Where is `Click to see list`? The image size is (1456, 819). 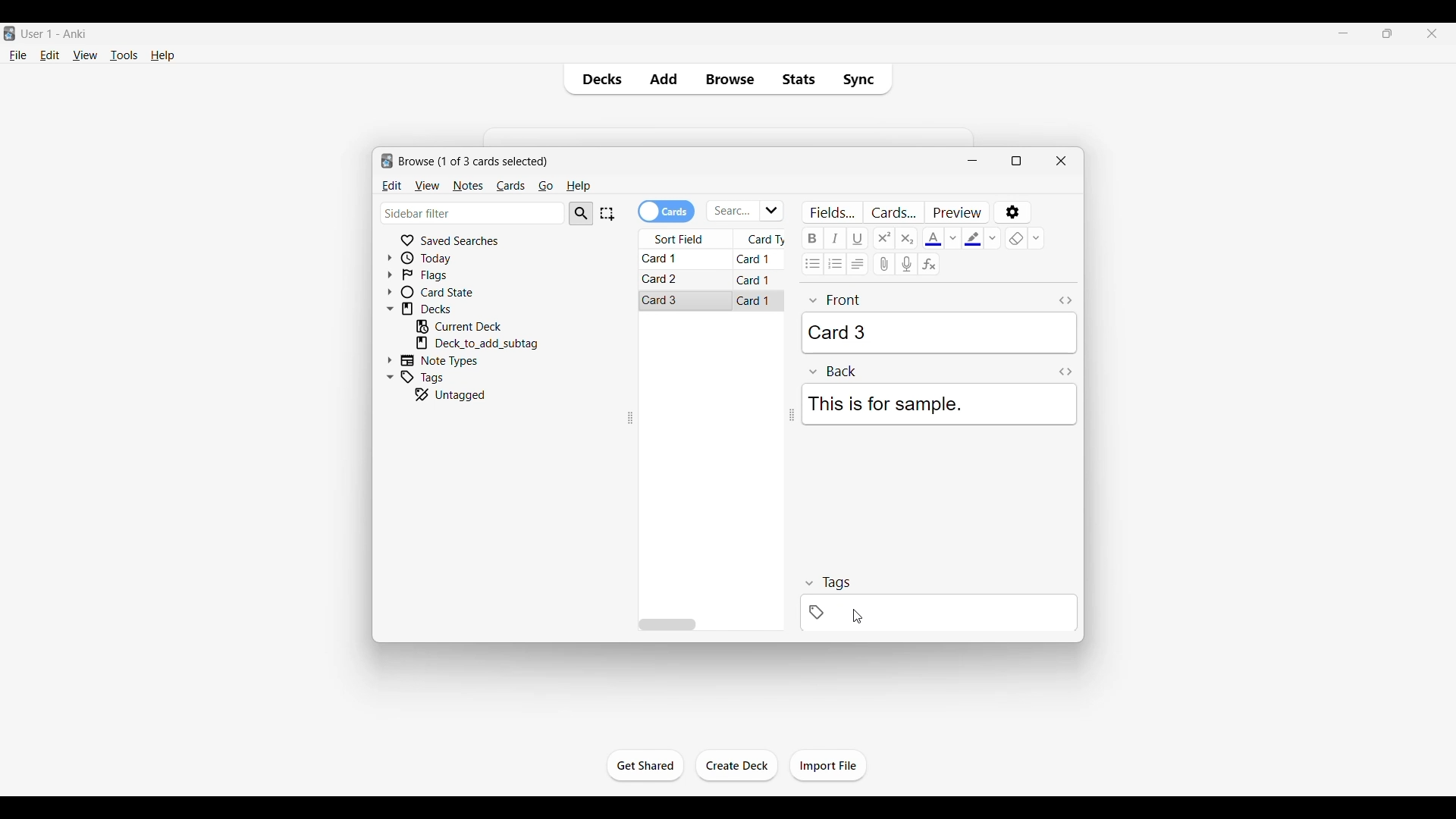 Click to see list is located at coordinates (773, 211).